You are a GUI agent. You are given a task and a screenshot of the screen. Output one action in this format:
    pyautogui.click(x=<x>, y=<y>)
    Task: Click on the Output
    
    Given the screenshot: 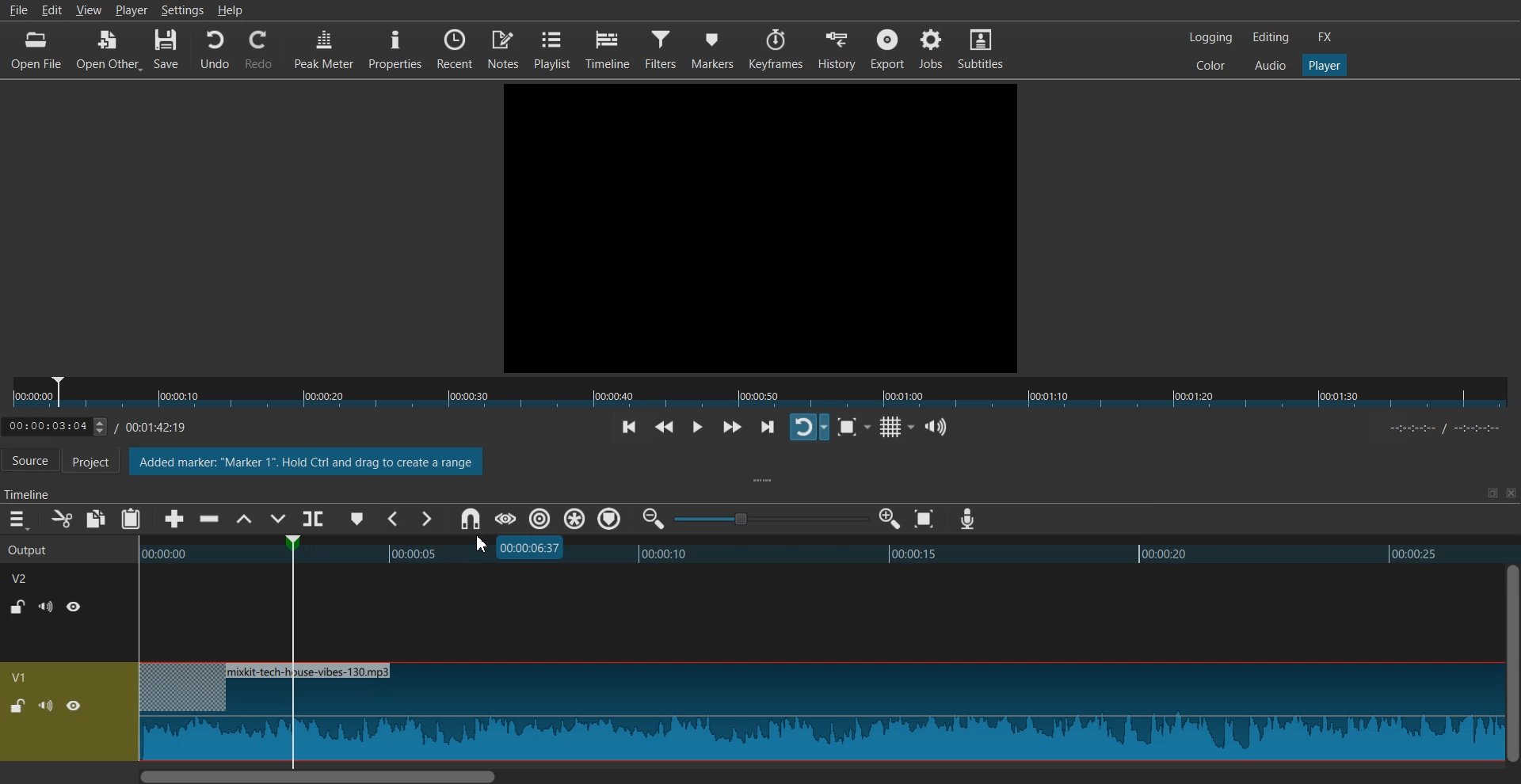 What is the action you would take?
    pyautogui.click(x=49, y=548)
    